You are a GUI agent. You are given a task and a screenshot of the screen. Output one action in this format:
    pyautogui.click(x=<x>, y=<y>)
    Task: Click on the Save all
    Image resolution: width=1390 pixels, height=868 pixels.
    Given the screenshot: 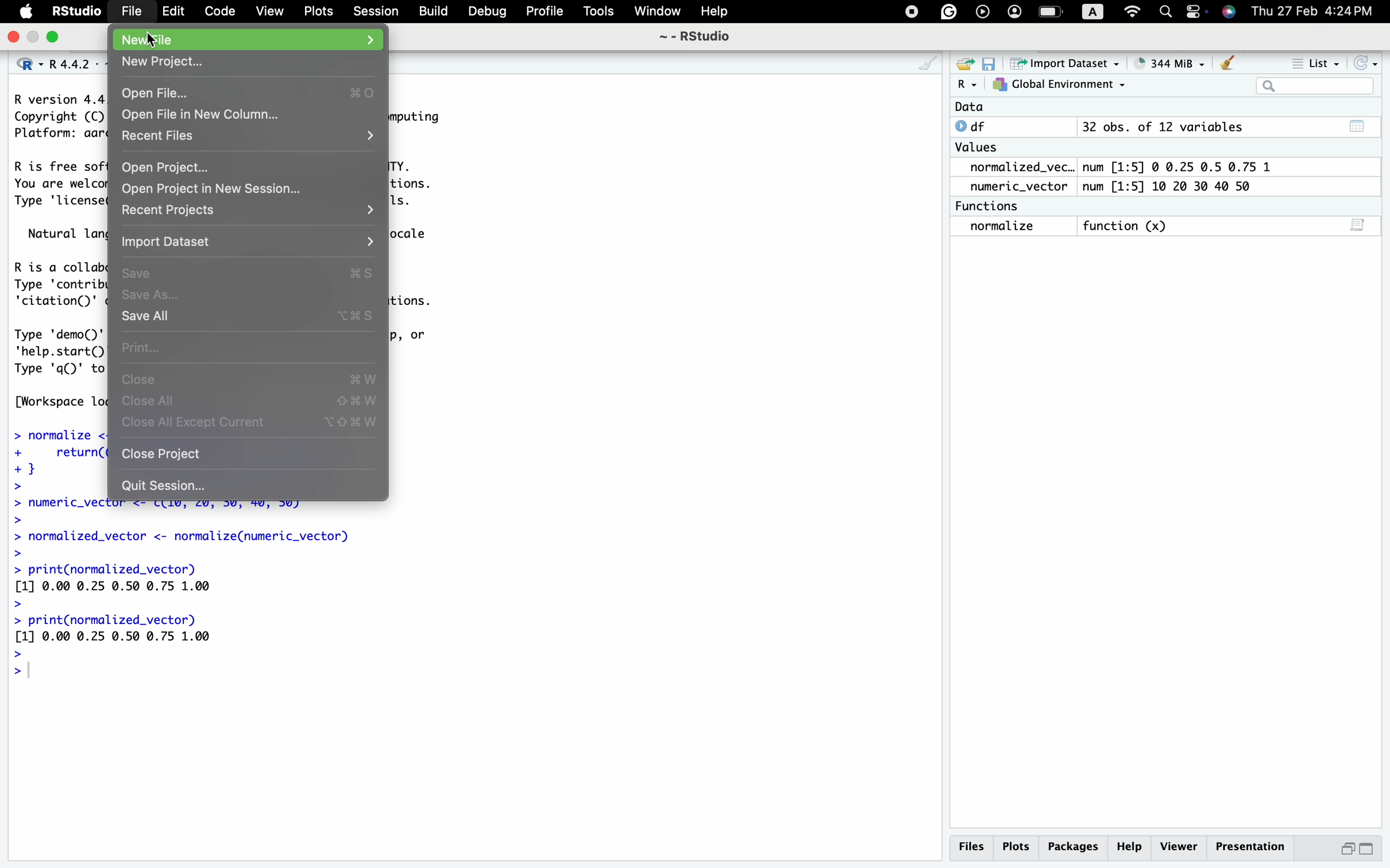 What is the action you would take?
    pyautogui.click(x=147, y=318)
    